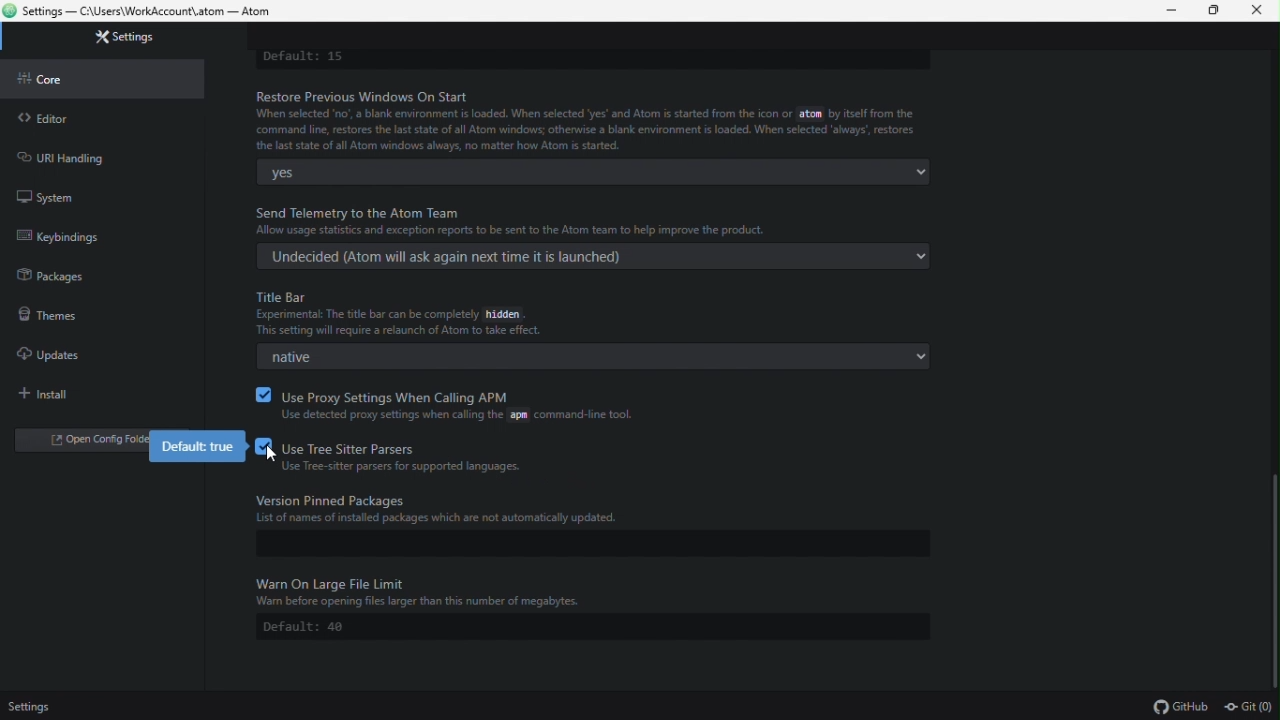 The width and height of the screenshot is (1280, 720). I want to click on checkbox, so click(261, 394).